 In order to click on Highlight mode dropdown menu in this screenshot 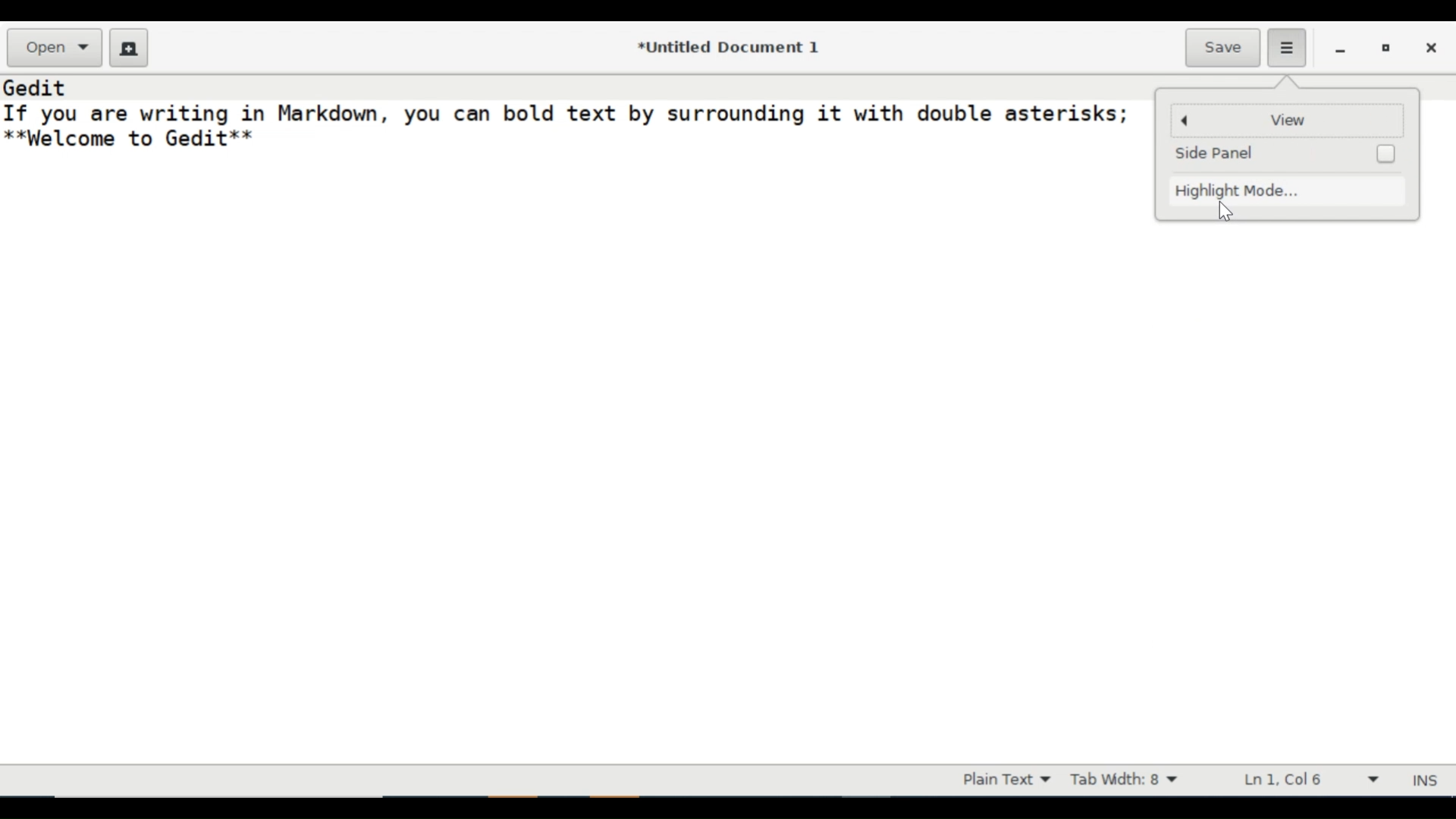, I will do `click(1009, 778)`.